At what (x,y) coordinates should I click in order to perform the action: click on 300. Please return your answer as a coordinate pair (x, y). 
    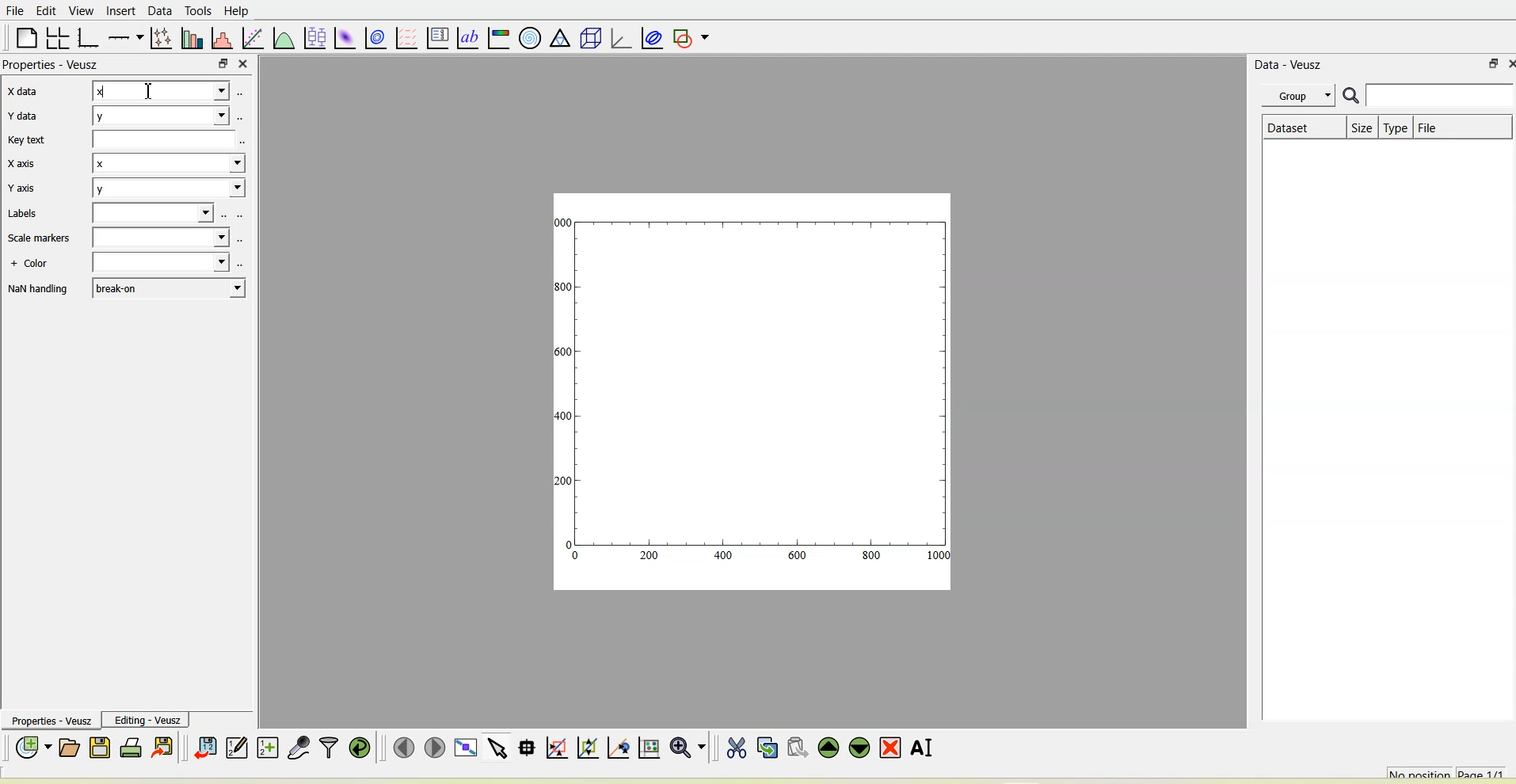
    Looking at the image, I should click on (565, 286).